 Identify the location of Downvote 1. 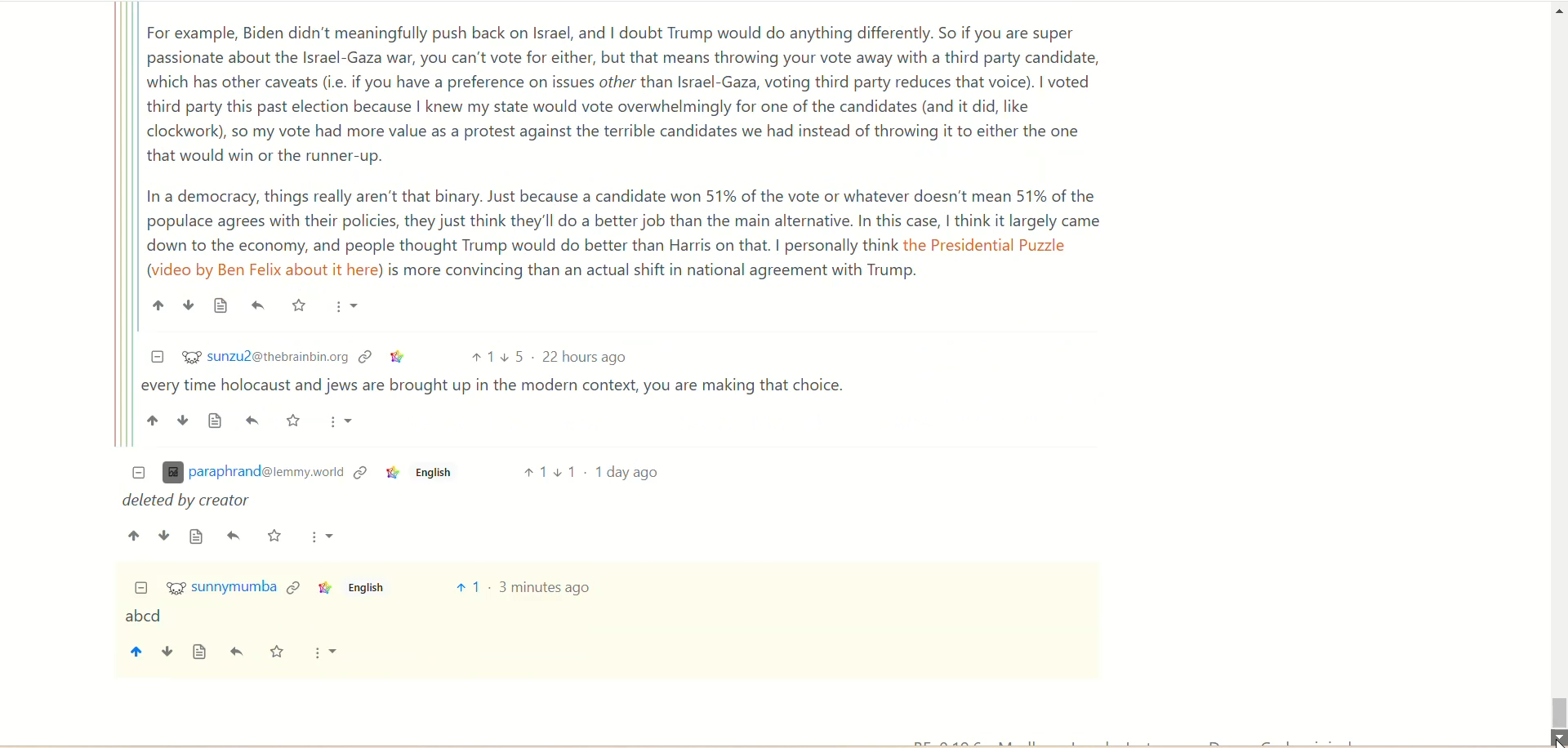
(567, 472).